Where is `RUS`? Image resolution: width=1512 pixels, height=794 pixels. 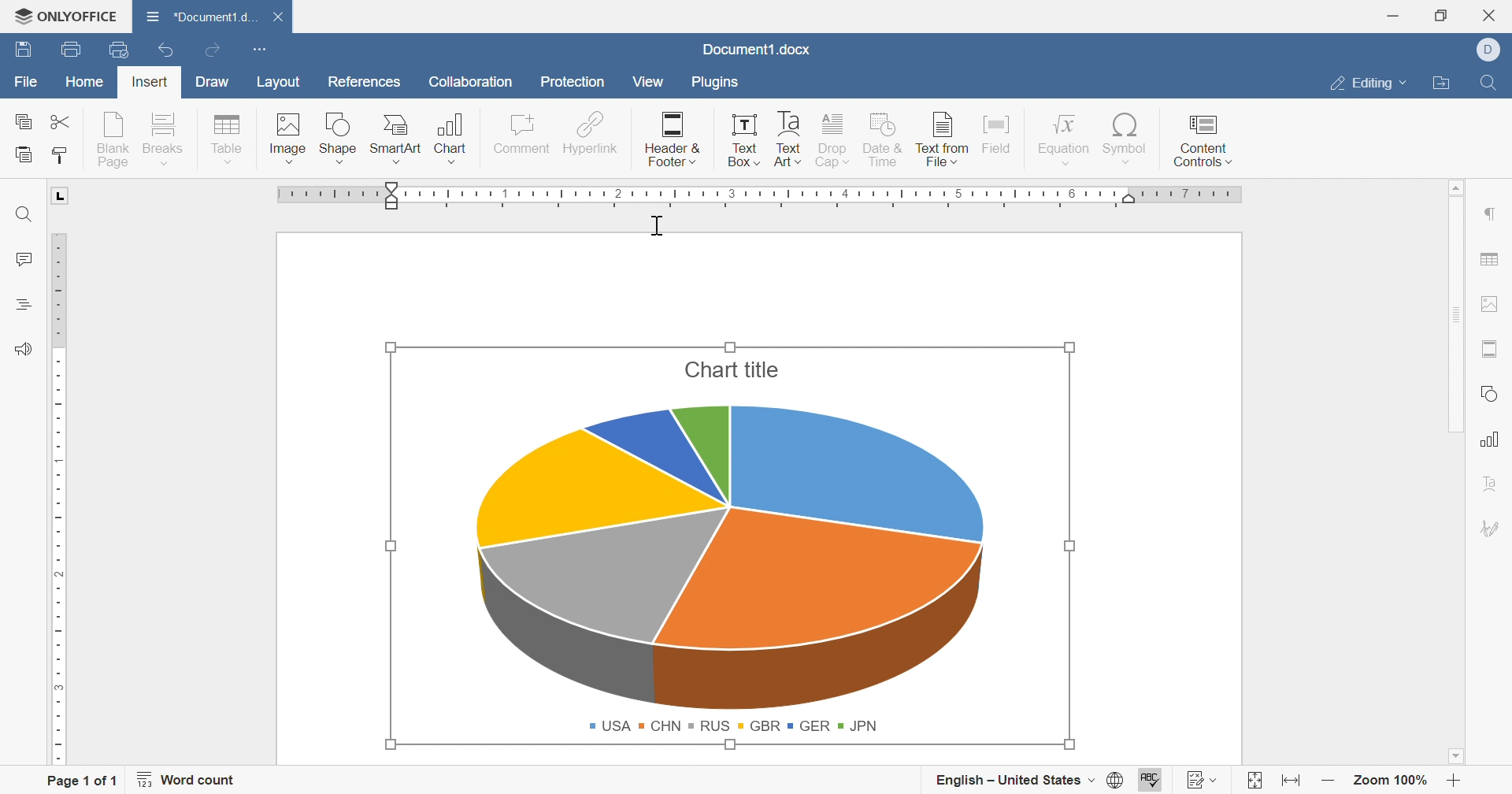
RUS is located at coordinates (711, 725).